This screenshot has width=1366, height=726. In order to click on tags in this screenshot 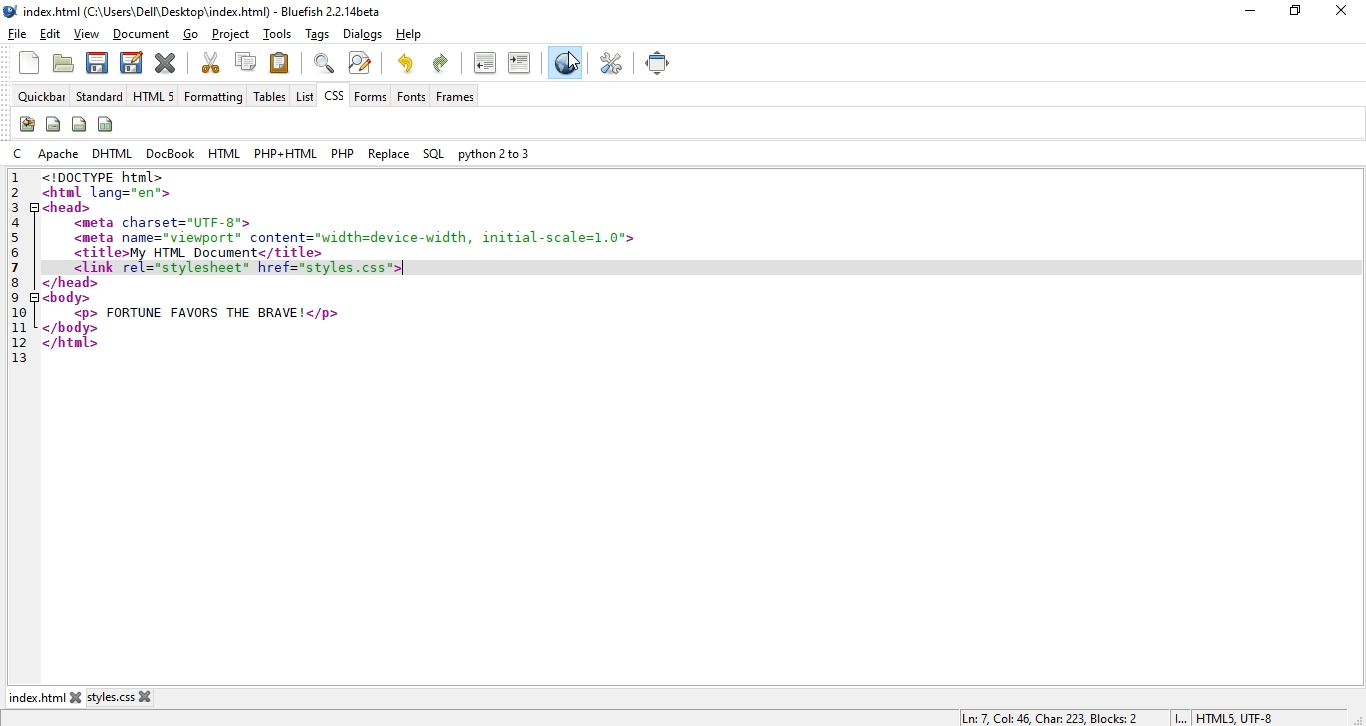, I will do `click(319, 35)`.